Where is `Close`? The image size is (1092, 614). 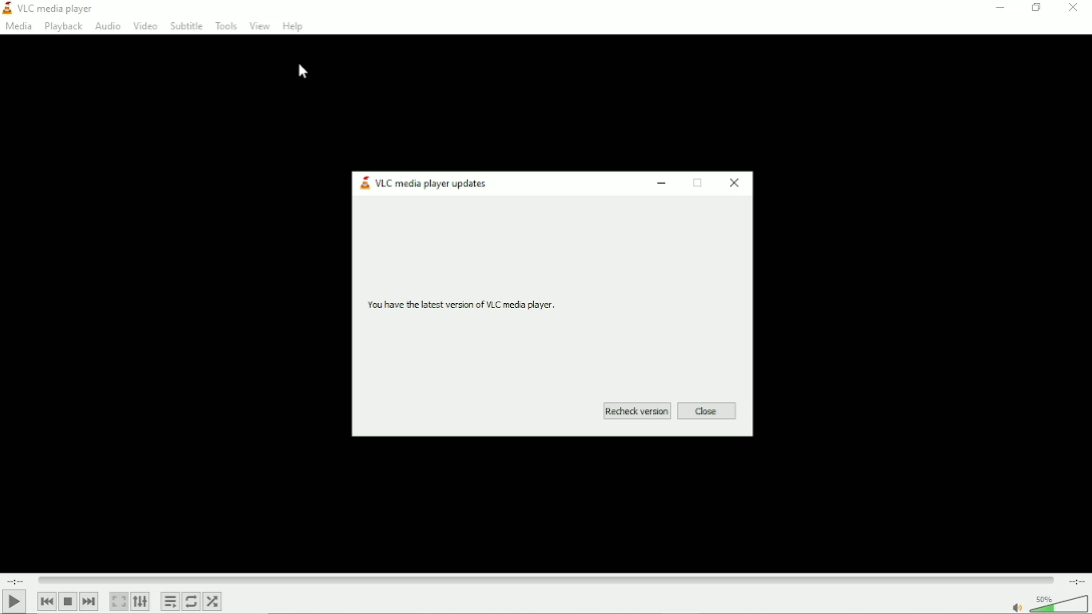
Close is located at coordinates (707, 411).